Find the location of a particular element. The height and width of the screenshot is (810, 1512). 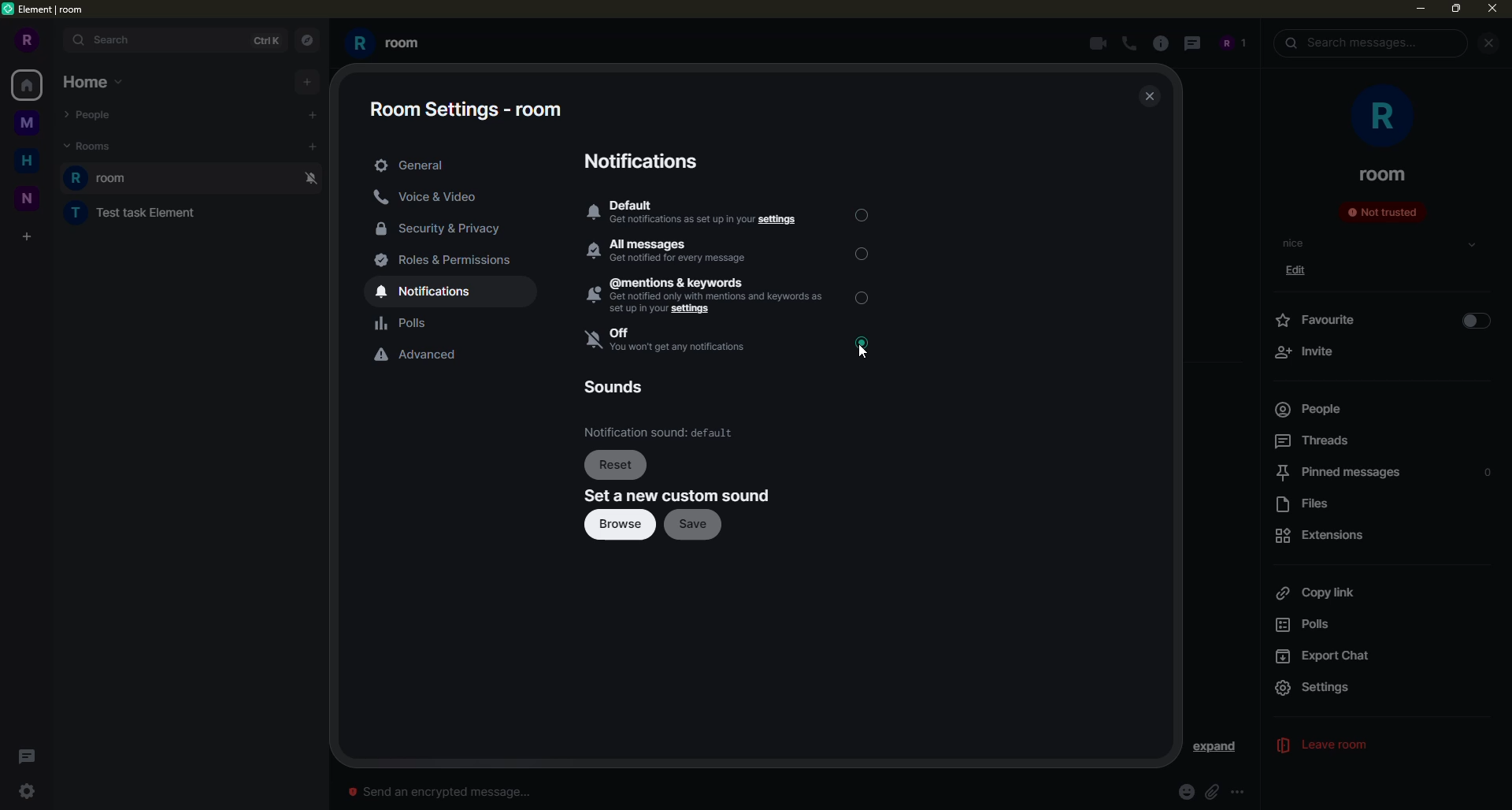

@mentions is located at coordinates (704, 296).